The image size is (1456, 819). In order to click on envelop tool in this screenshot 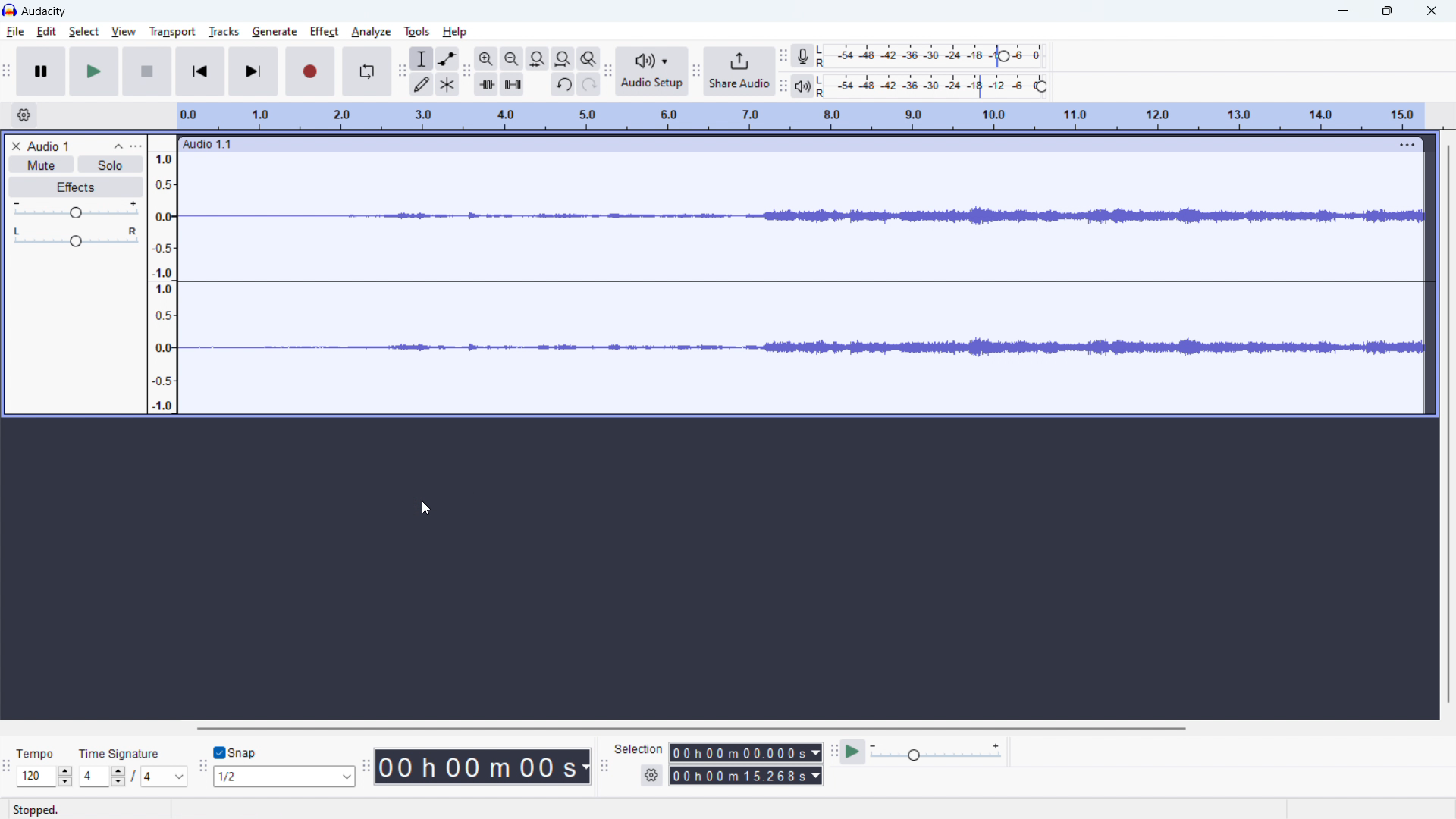, I will do `click(447, 58)`.